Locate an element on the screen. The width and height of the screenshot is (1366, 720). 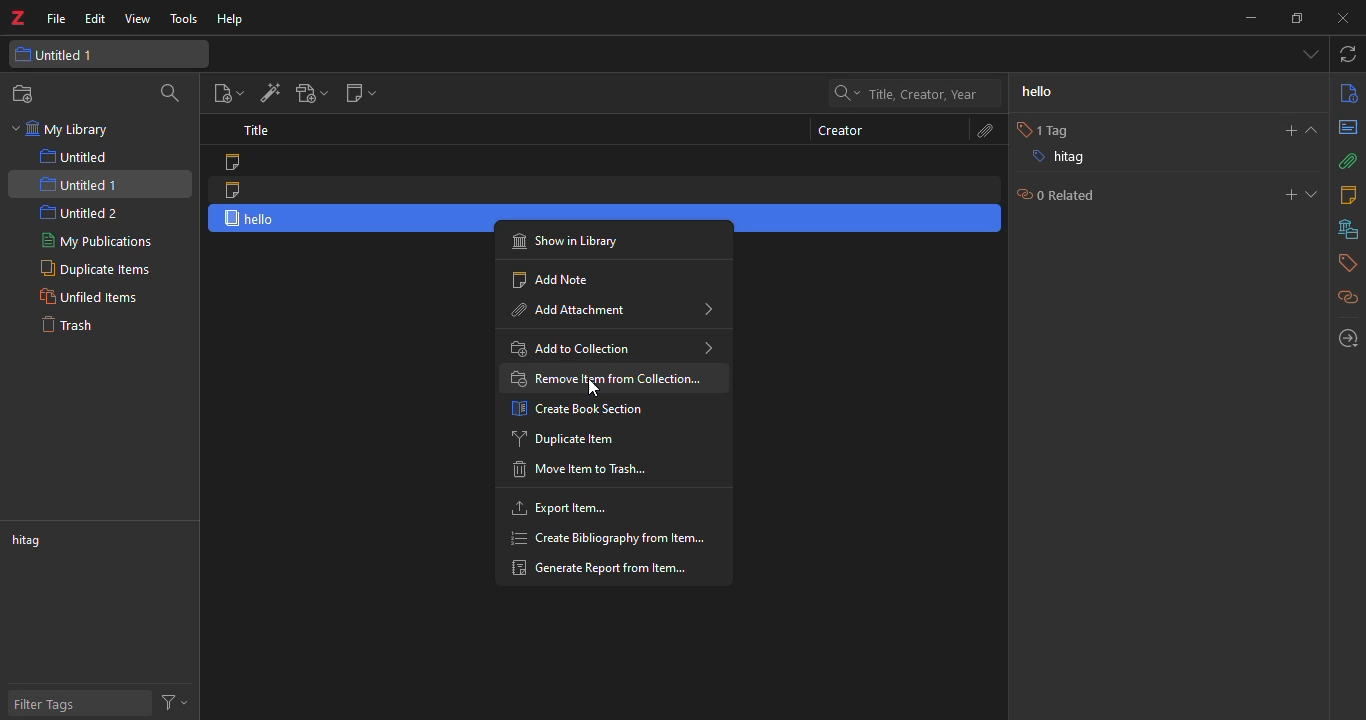
add to collection is located at coordinates (616, 347).